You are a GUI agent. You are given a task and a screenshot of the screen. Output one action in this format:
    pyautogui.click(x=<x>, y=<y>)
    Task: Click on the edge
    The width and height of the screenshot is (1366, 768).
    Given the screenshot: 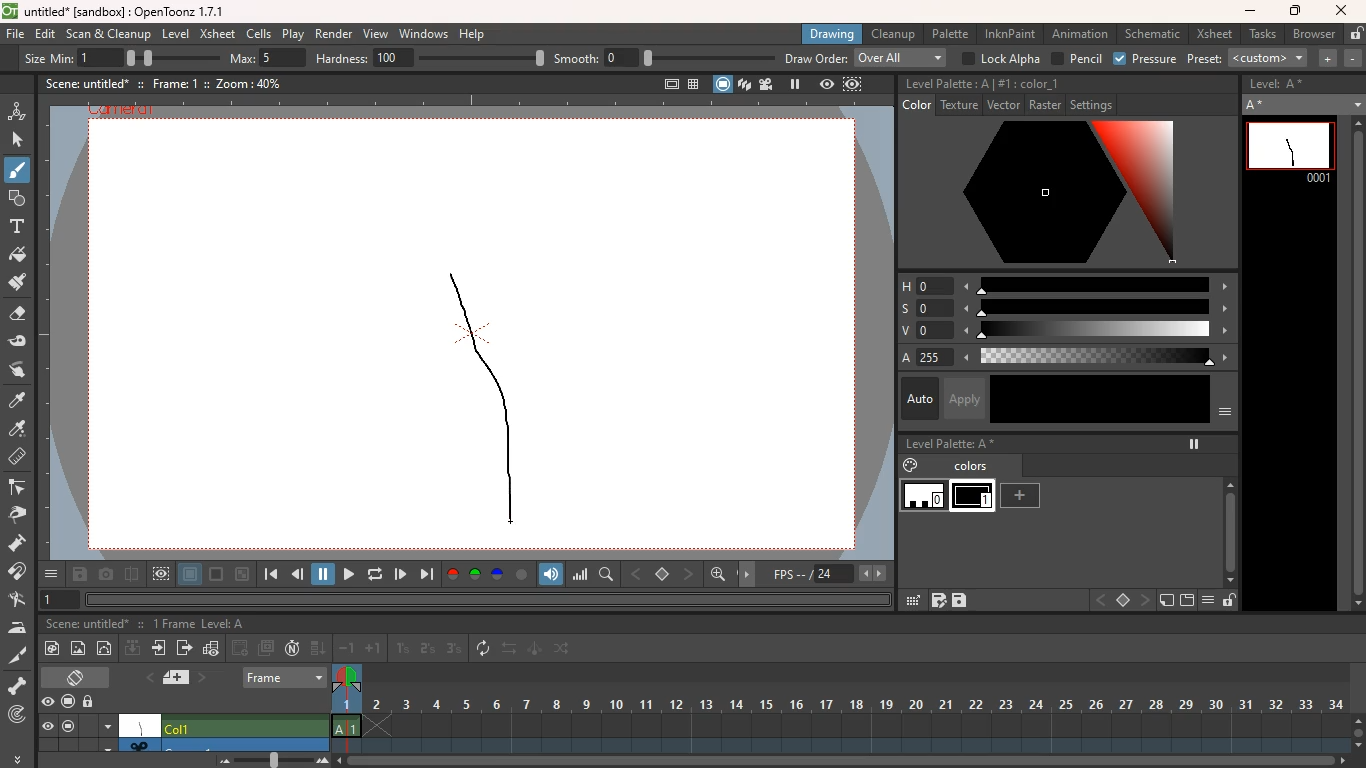 What is the action you would take?
    pyautogui.click(x=20, y=489)
    